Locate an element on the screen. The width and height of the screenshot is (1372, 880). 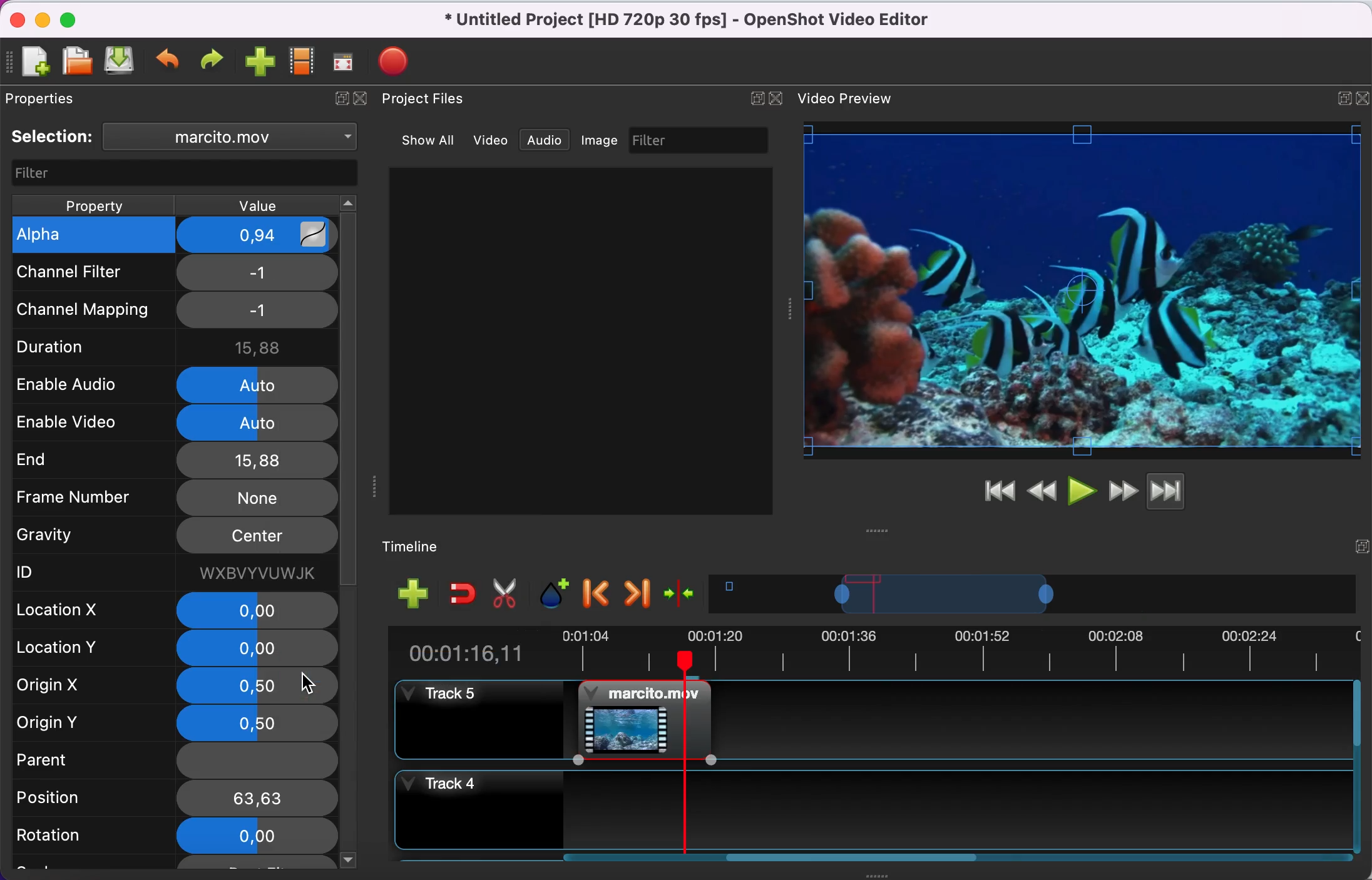
track 4 is located at coordinates (874, 807).